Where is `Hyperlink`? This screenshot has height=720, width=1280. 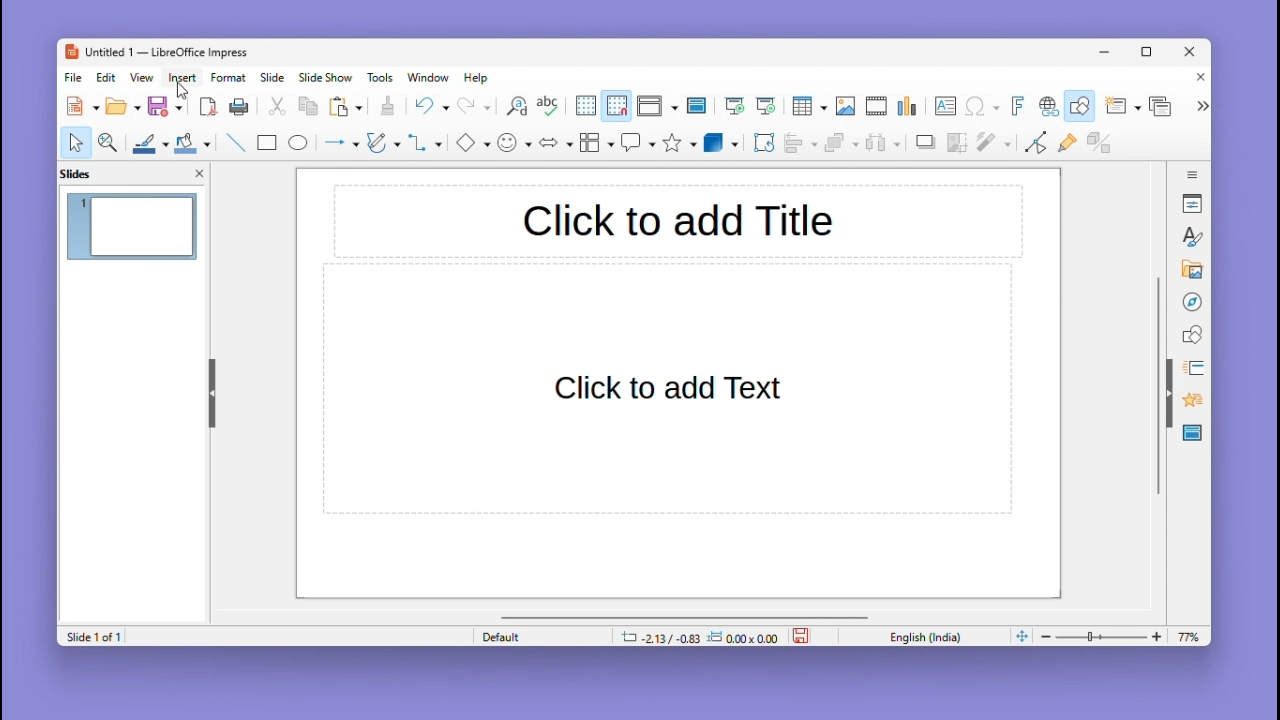 Hyperlink is located at coordinates (1046, 108).